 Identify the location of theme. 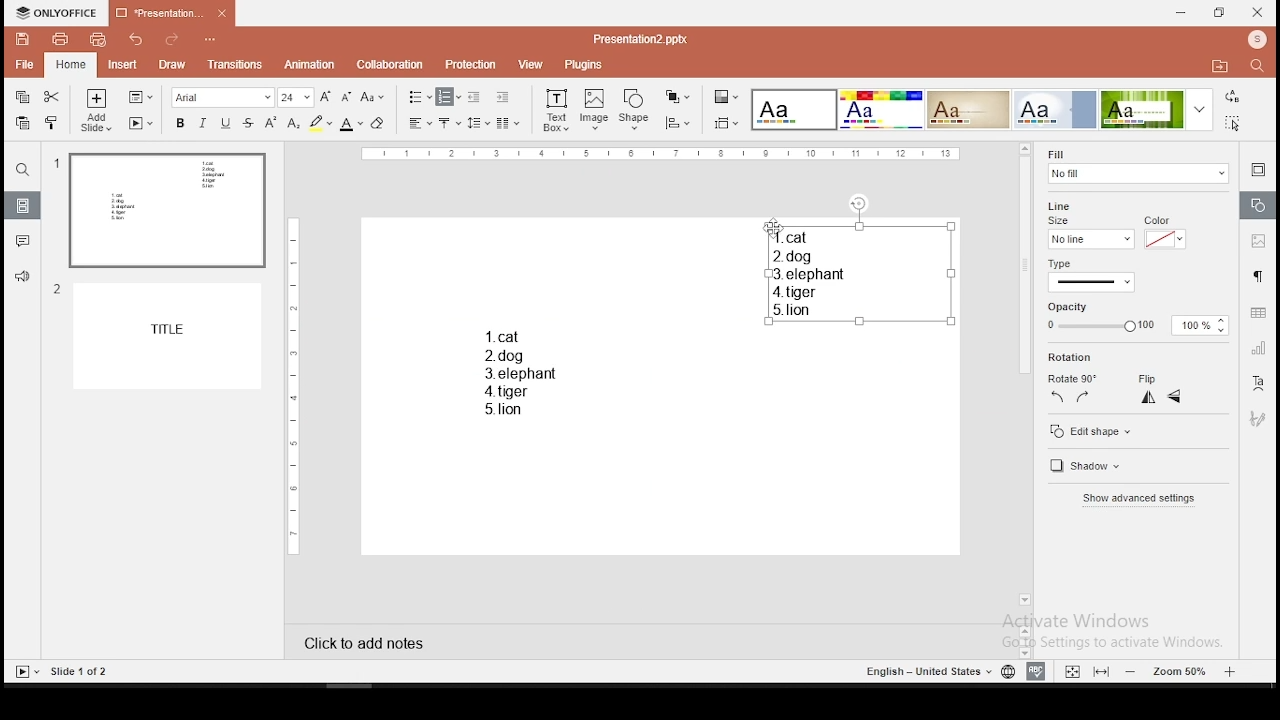
(795, 110).